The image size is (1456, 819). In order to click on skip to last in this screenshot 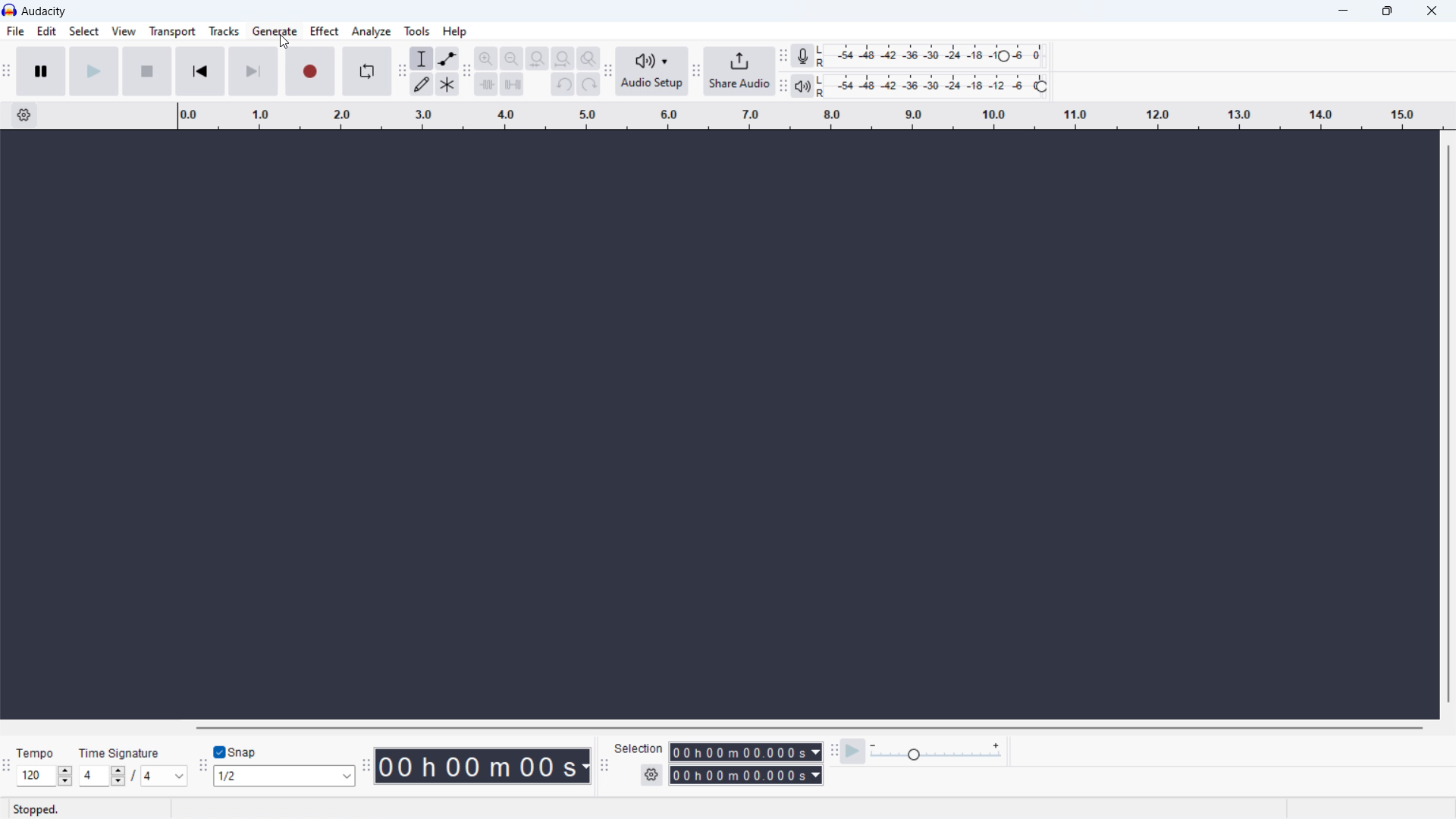, I will do `click(254, 71)`.